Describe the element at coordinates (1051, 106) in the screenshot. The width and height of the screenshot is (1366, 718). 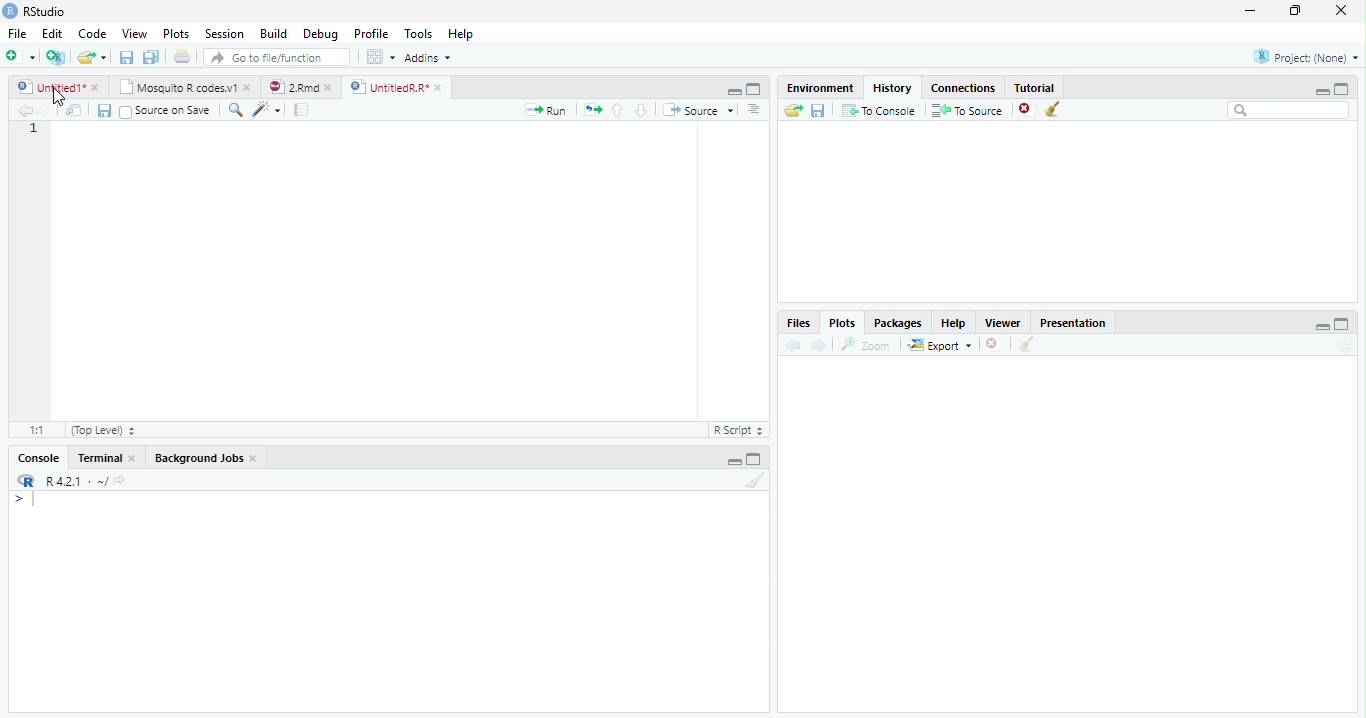
I see `Clear objects from the workspace` at that location.